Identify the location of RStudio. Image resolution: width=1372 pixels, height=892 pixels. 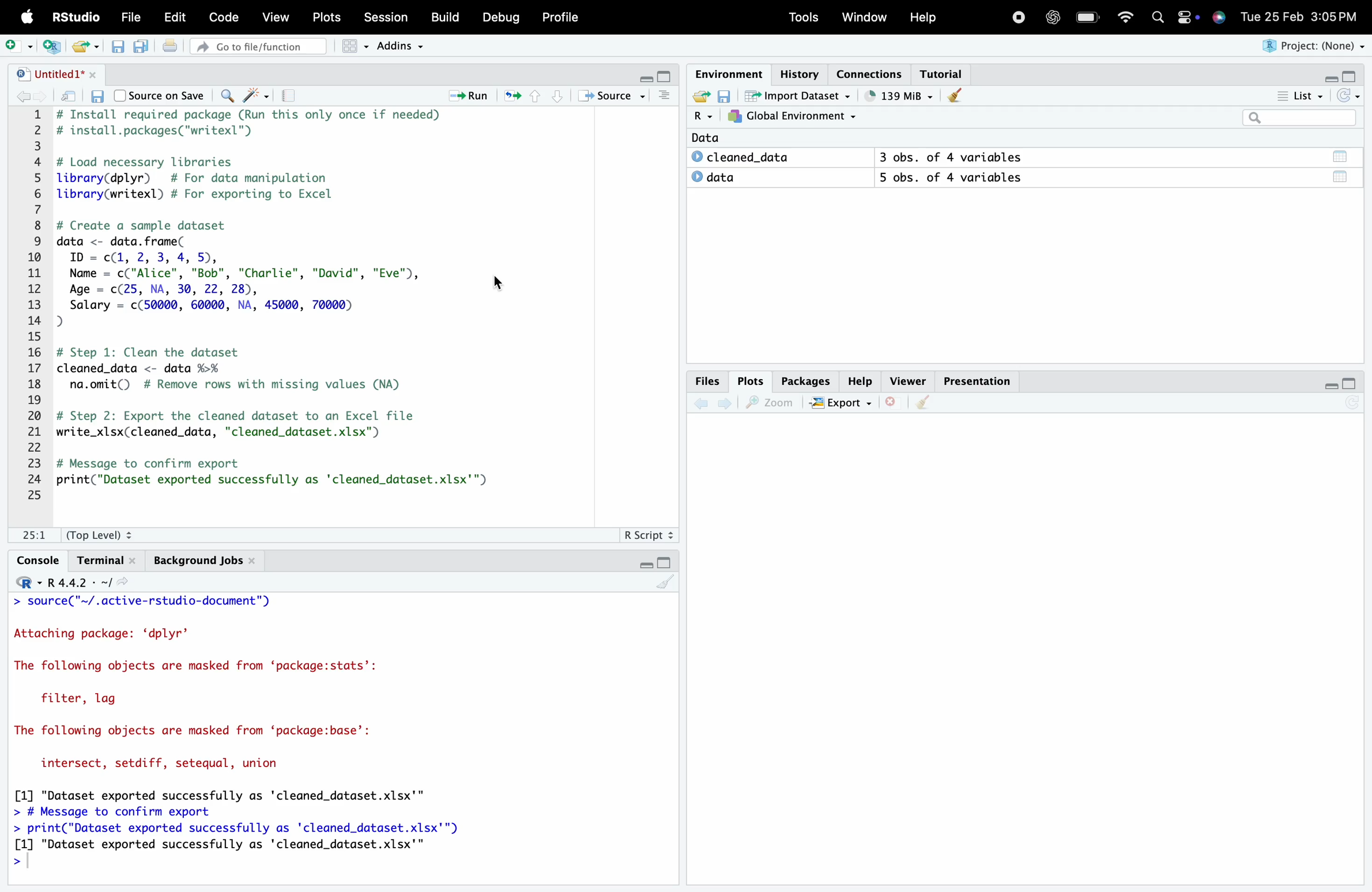
(76, 16).